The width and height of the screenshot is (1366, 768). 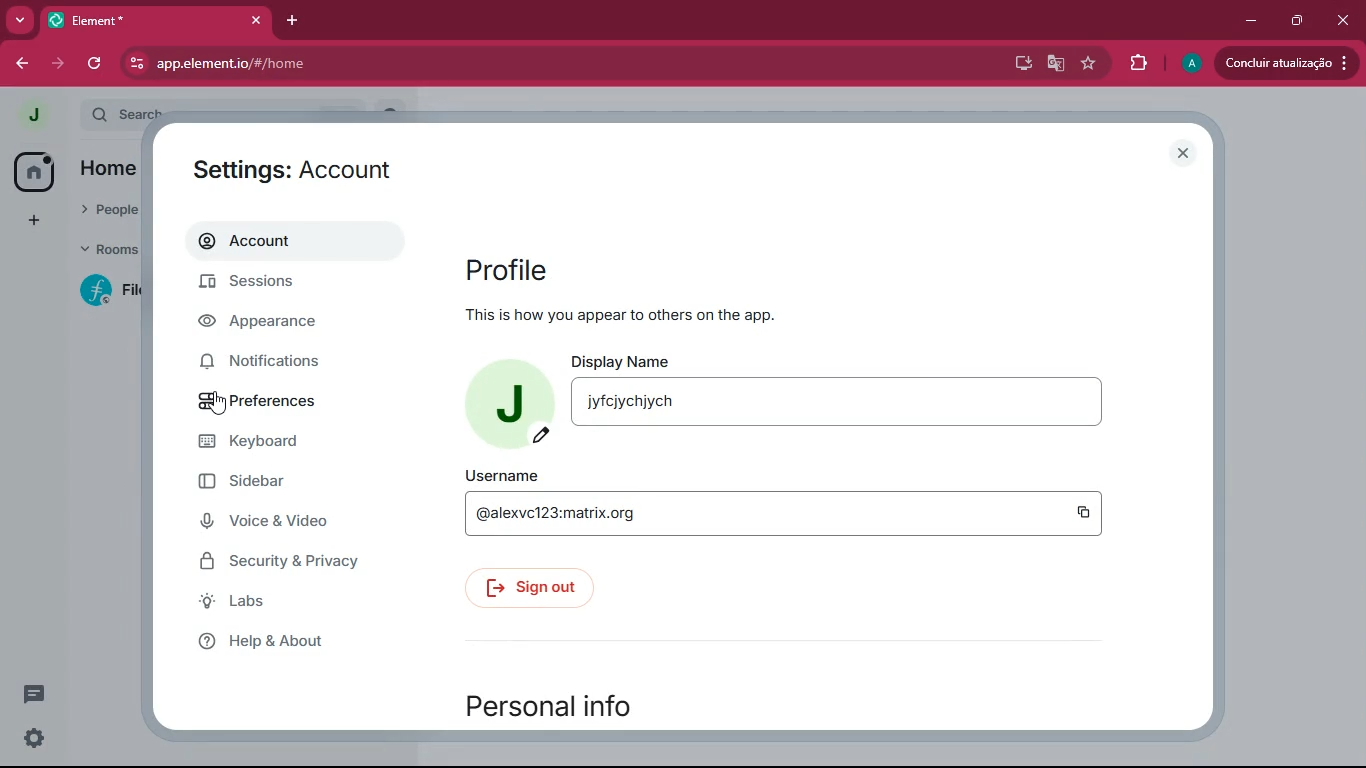 What do you see at coordinates (1190, 64) in the screenshot?
I see `profile picture` at bounding box center [1190, 64].